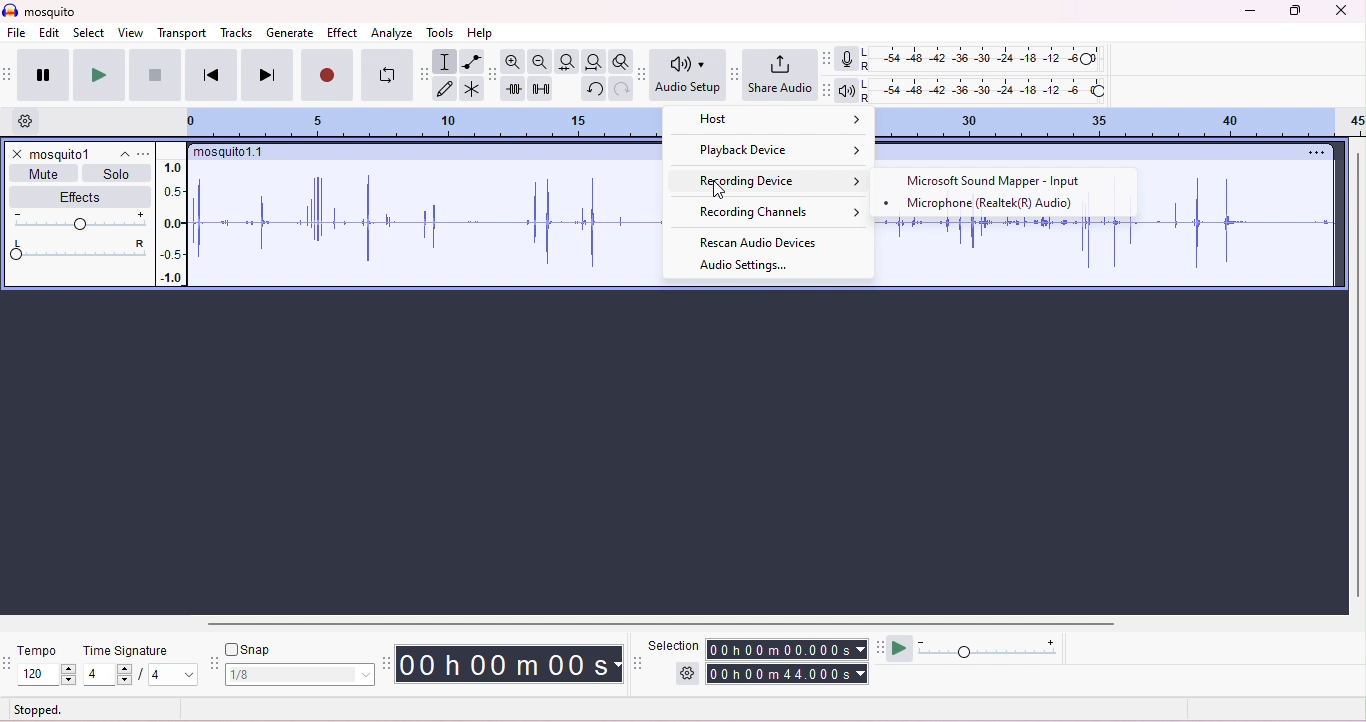 The height and width of the screenshot is (722, 1366). What do you see at coordinates (237, 32) in the screenshot?
I see `tracks` at bounding box center [237, 32].